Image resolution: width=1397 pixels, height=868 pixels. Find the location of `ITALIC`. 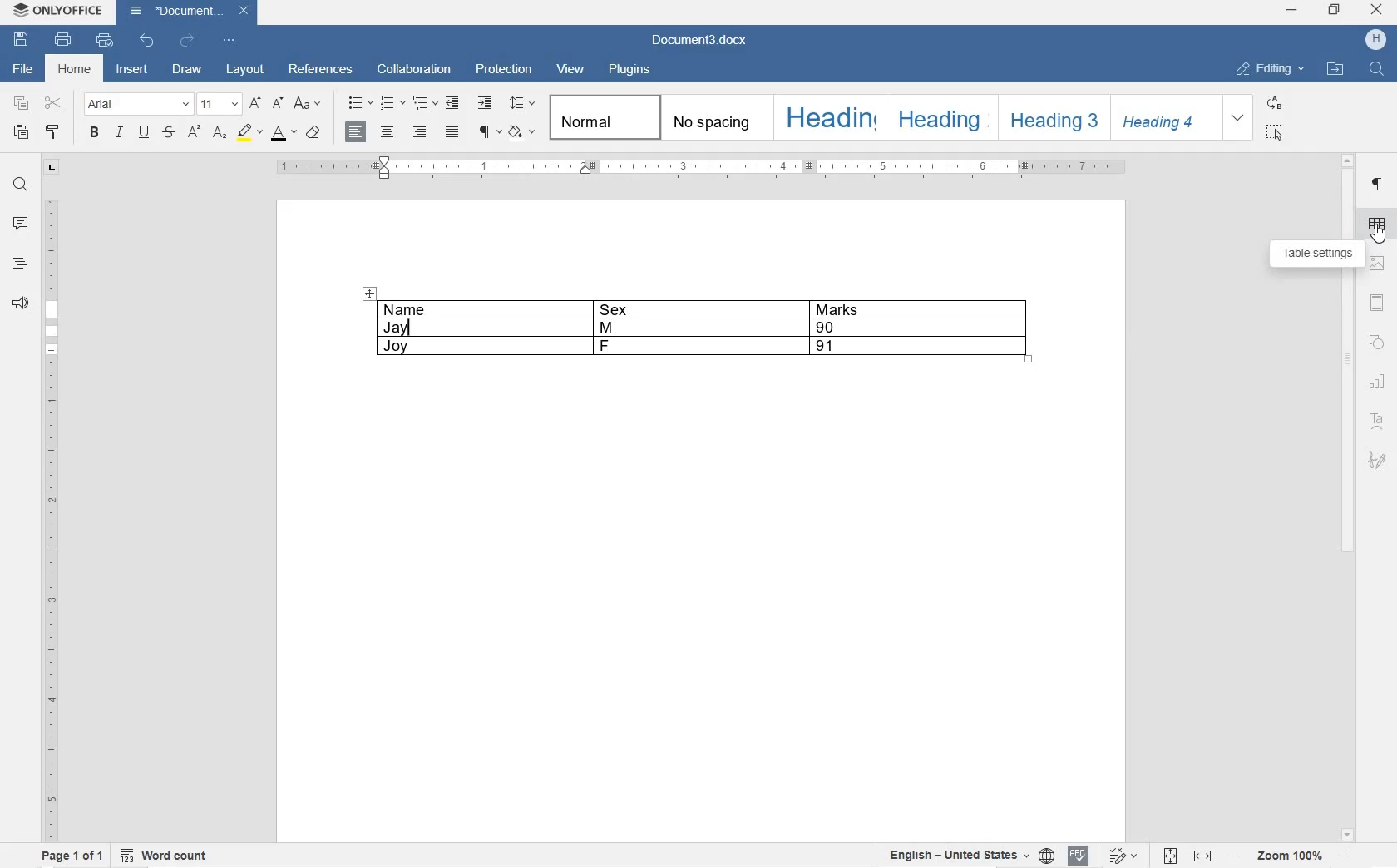

ITALIC is located at coordinates (119, 134).